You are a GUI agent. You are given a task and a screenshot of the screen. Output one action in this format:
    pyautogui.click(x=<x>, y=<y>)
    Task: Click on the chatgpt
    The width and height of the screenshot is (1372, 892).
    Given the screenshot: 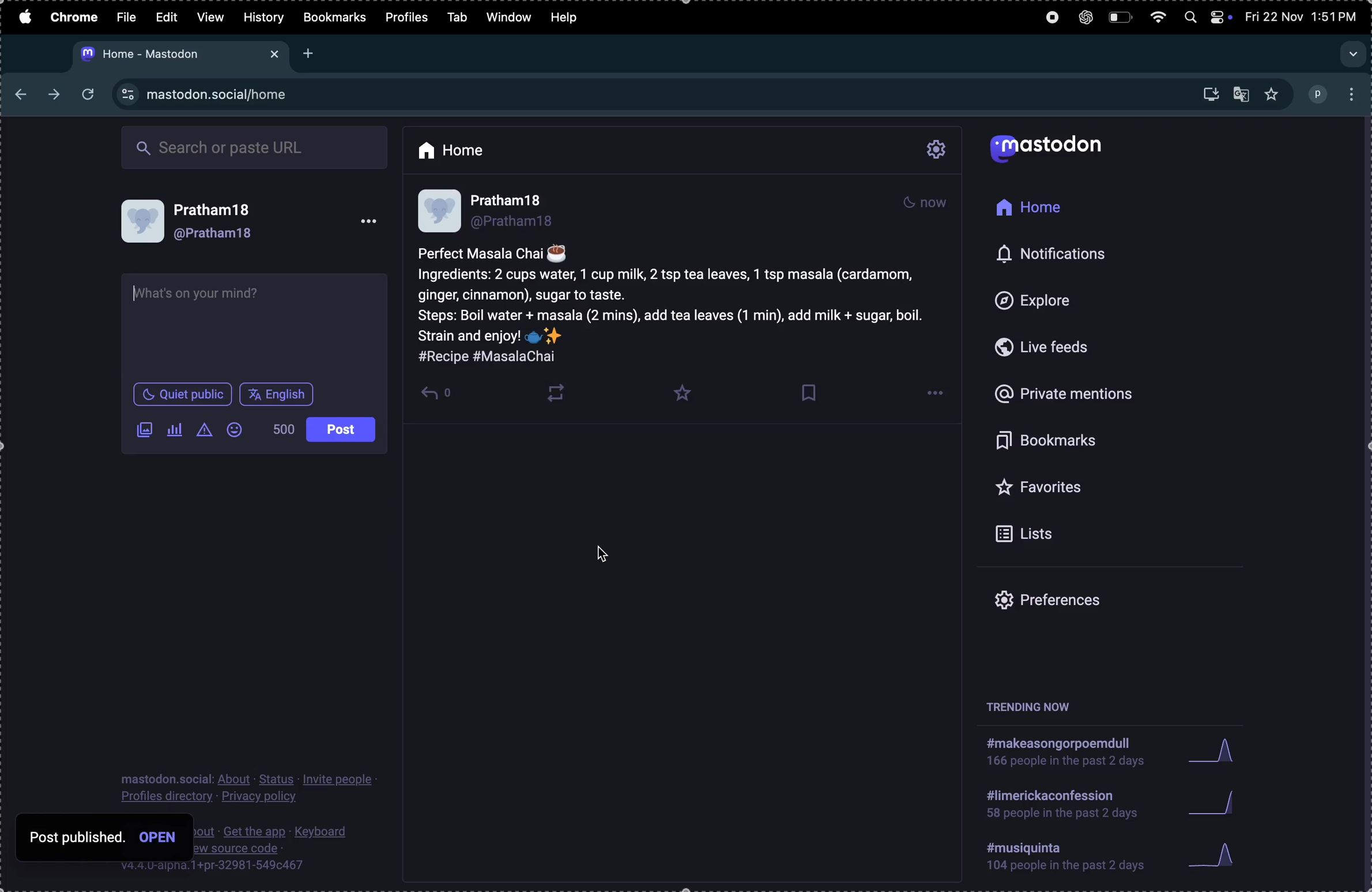 What is the action you would take?
    pyautogui.click(x=1083, y=17)
    